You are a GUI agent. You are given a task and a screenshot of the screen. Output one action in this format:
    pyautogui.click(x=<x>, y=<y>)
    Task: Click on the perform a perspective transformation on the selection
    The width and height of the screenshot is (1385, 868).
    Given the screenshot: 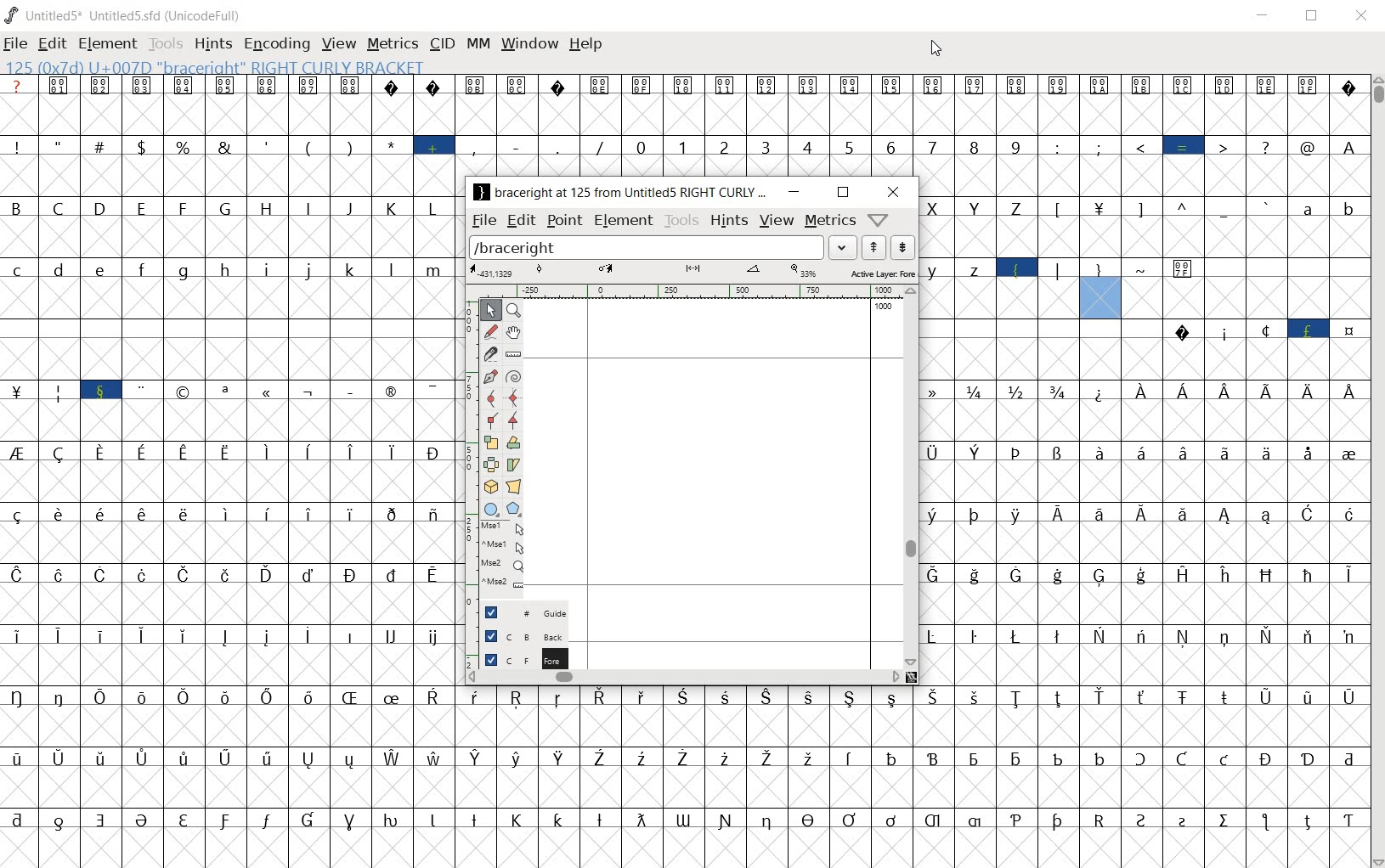 What is the action you would take?
    pyautogui.click(x=515, y=485)
    